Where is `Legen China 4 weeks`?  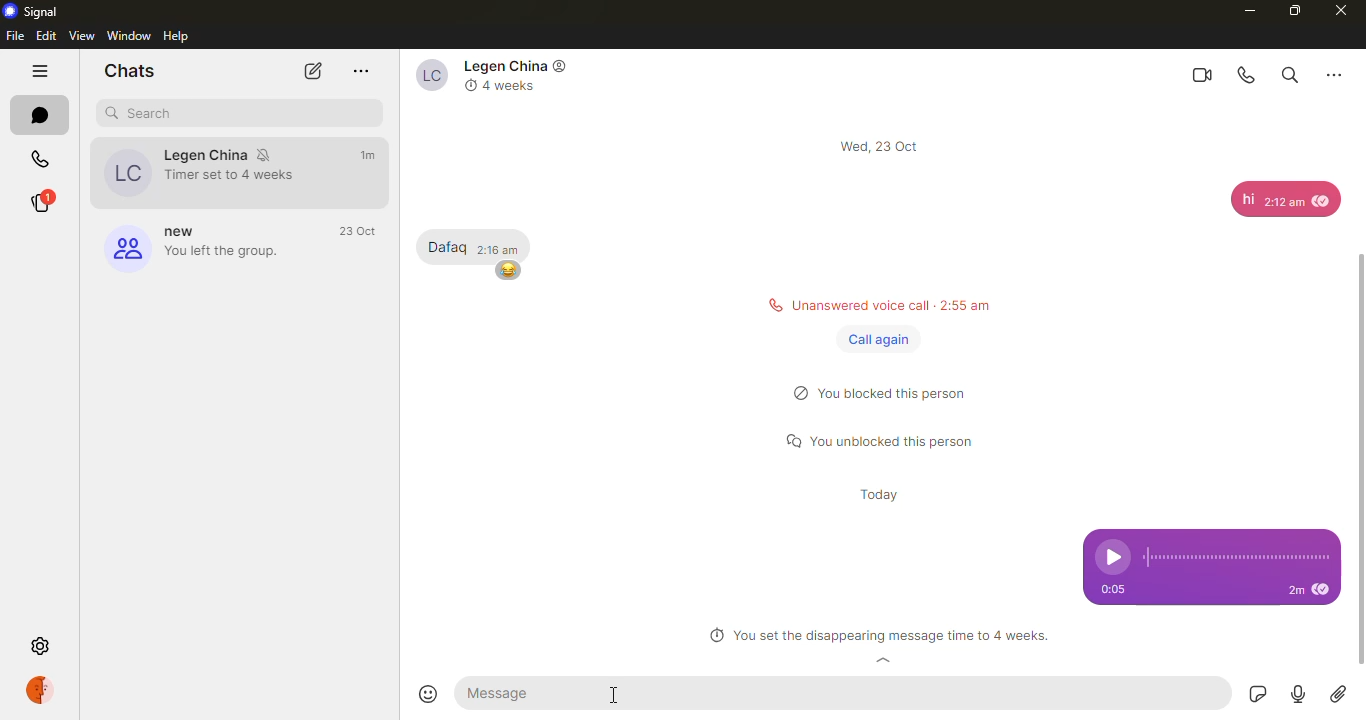 Legen China 4 weeks is located at coordinates (497, 76).